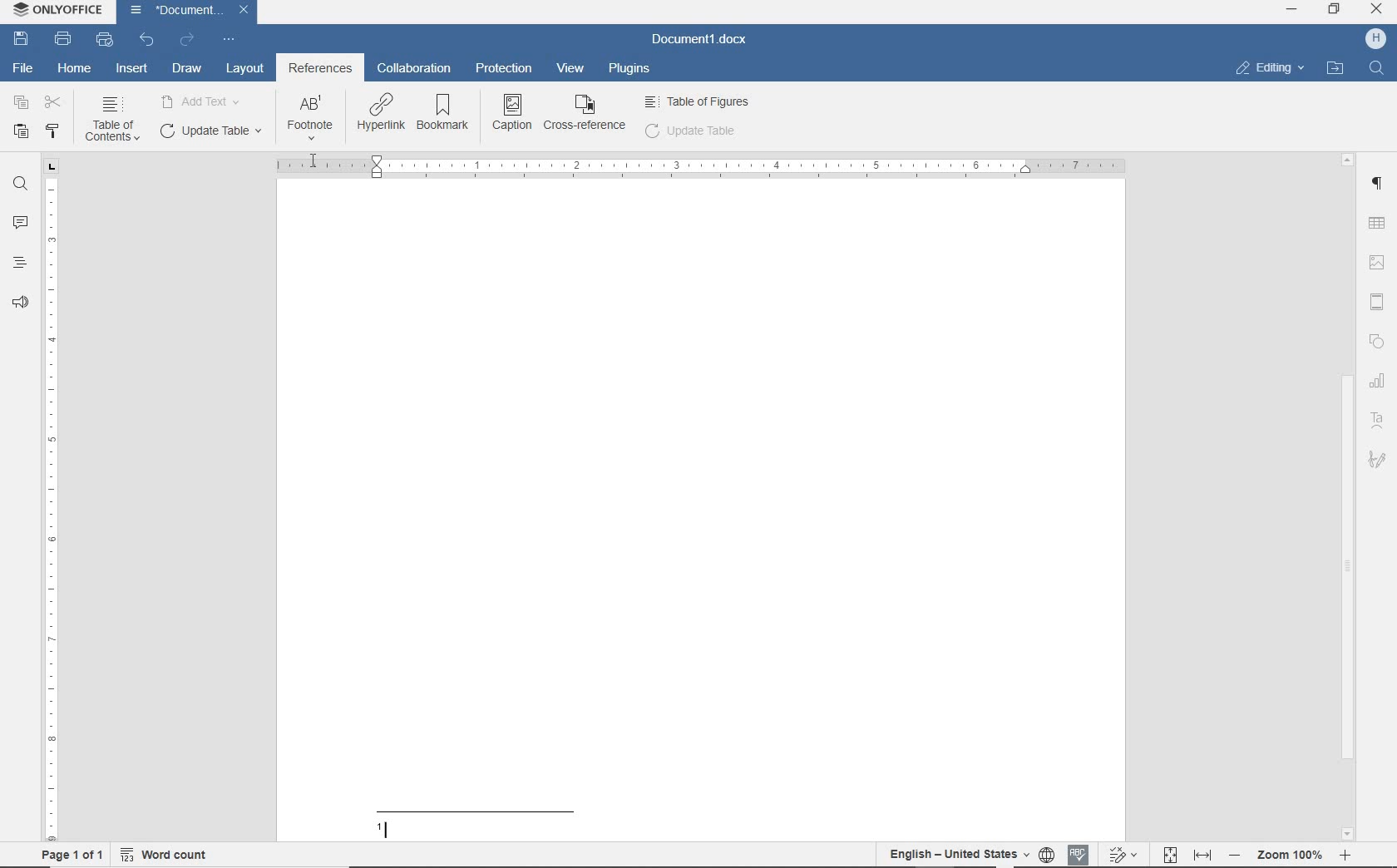  Describe the element at coordinates (1291, 857) in the screenshot. I see `zoom level` at that location.